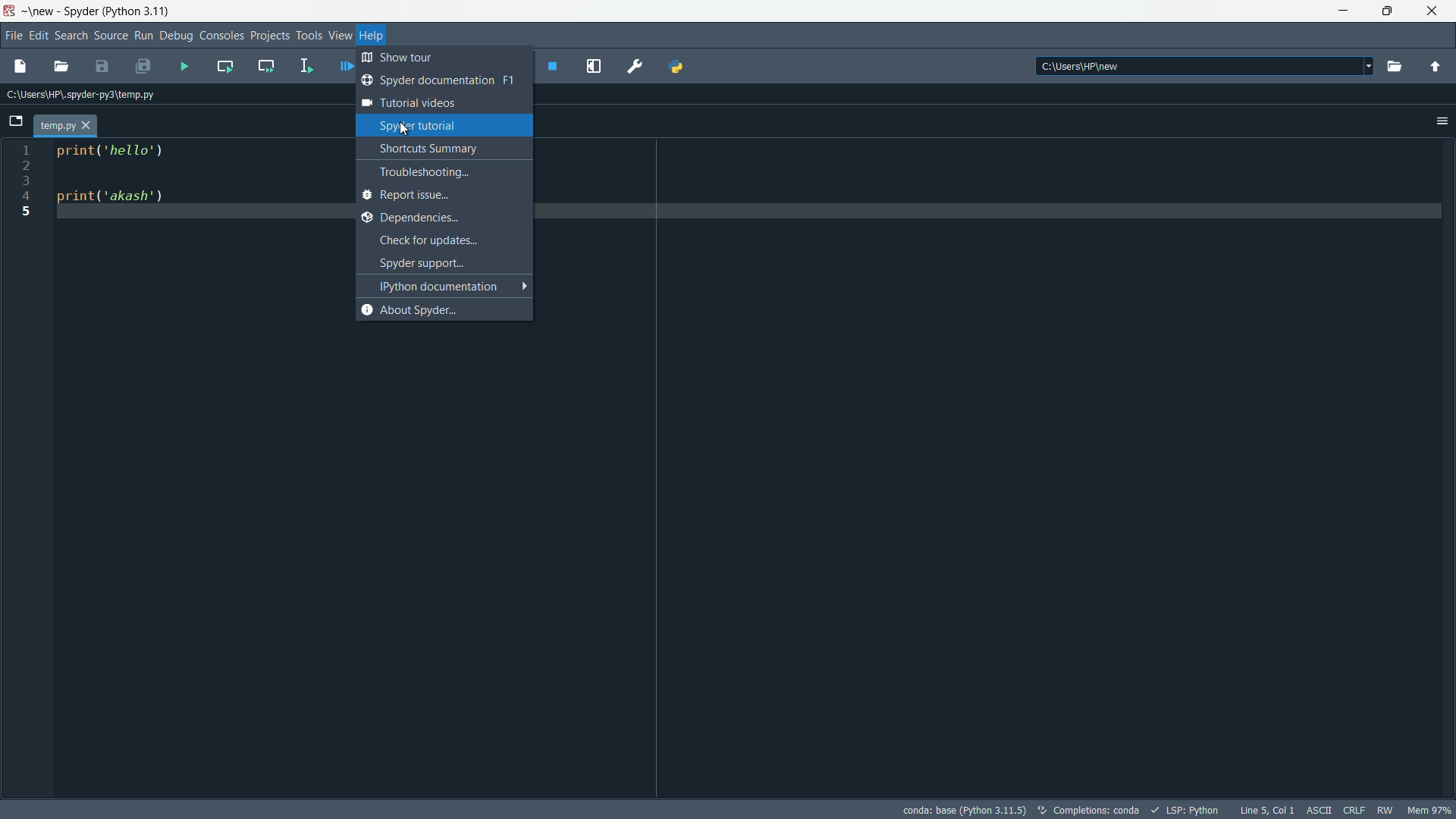 Image resolution: width=1456 pixels, height=819 pixels. I want to click on source menu, so click(111, 33).